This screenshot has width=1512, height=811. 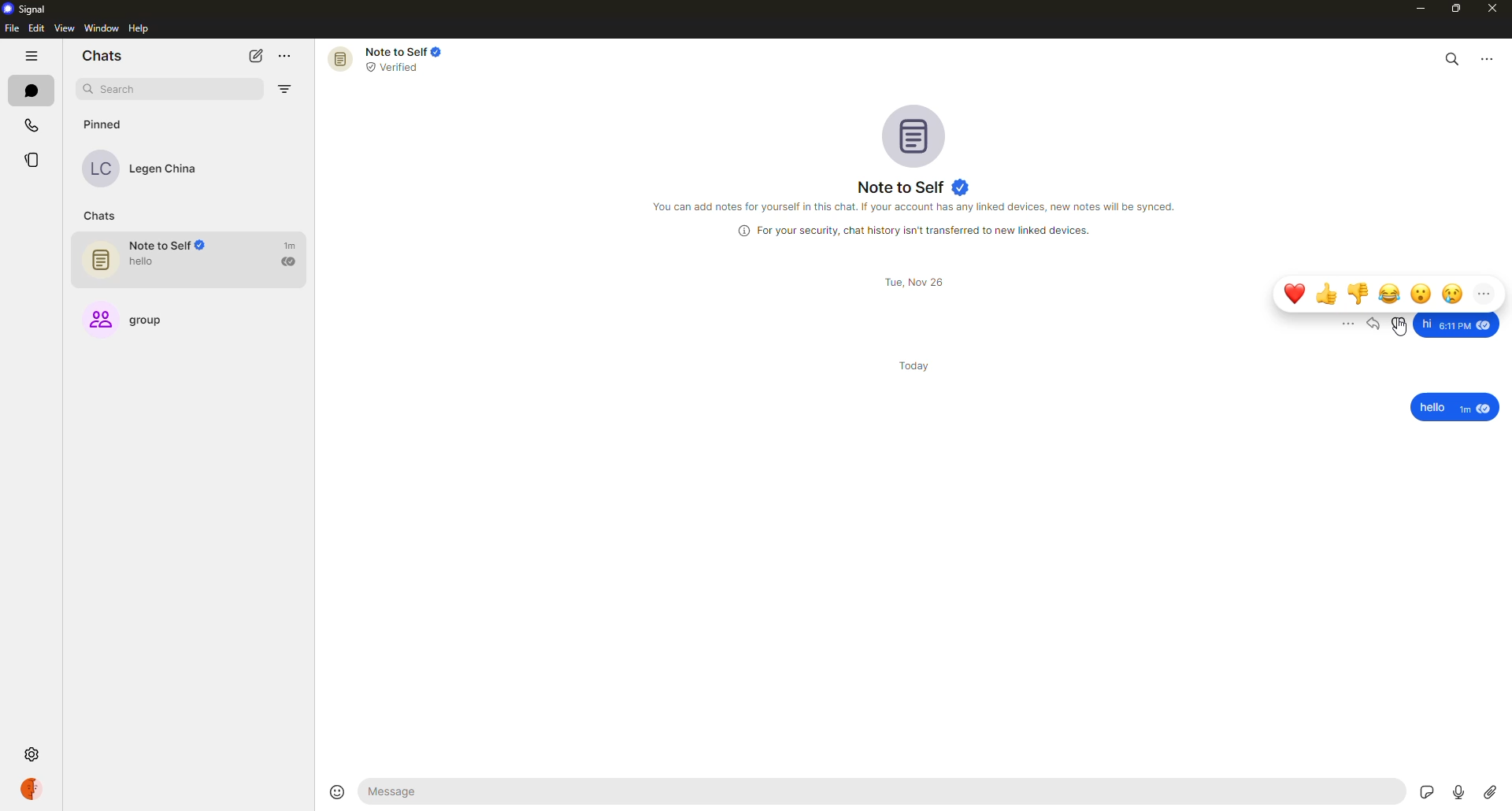 What do you see at coordinates (139, 29) in the screenshot?
I see `help` at bounding box center [139, 29].